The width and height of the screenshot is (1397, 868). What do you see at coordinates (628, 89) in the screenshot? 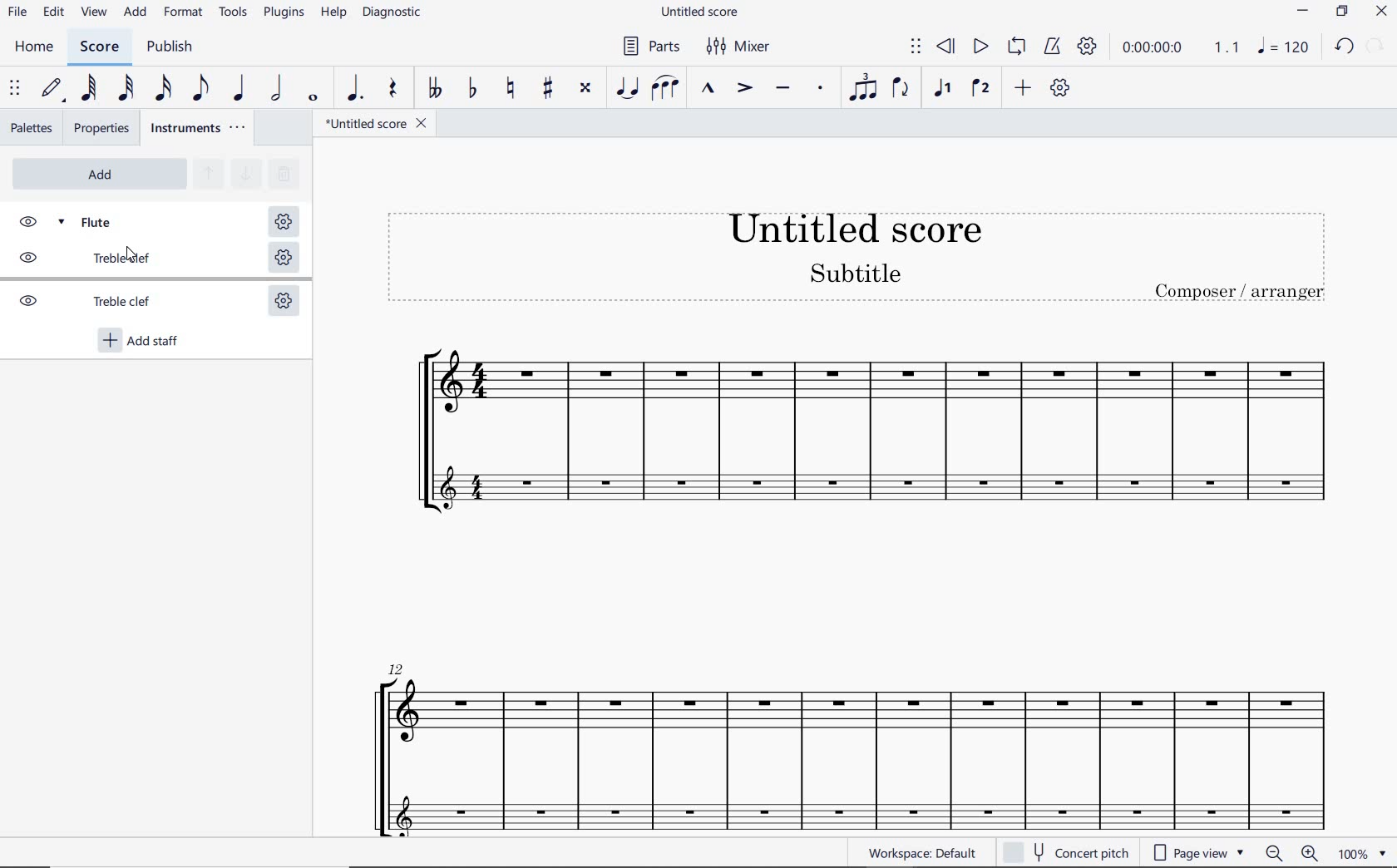
I see `TIE` at bounding box center [628, 89].